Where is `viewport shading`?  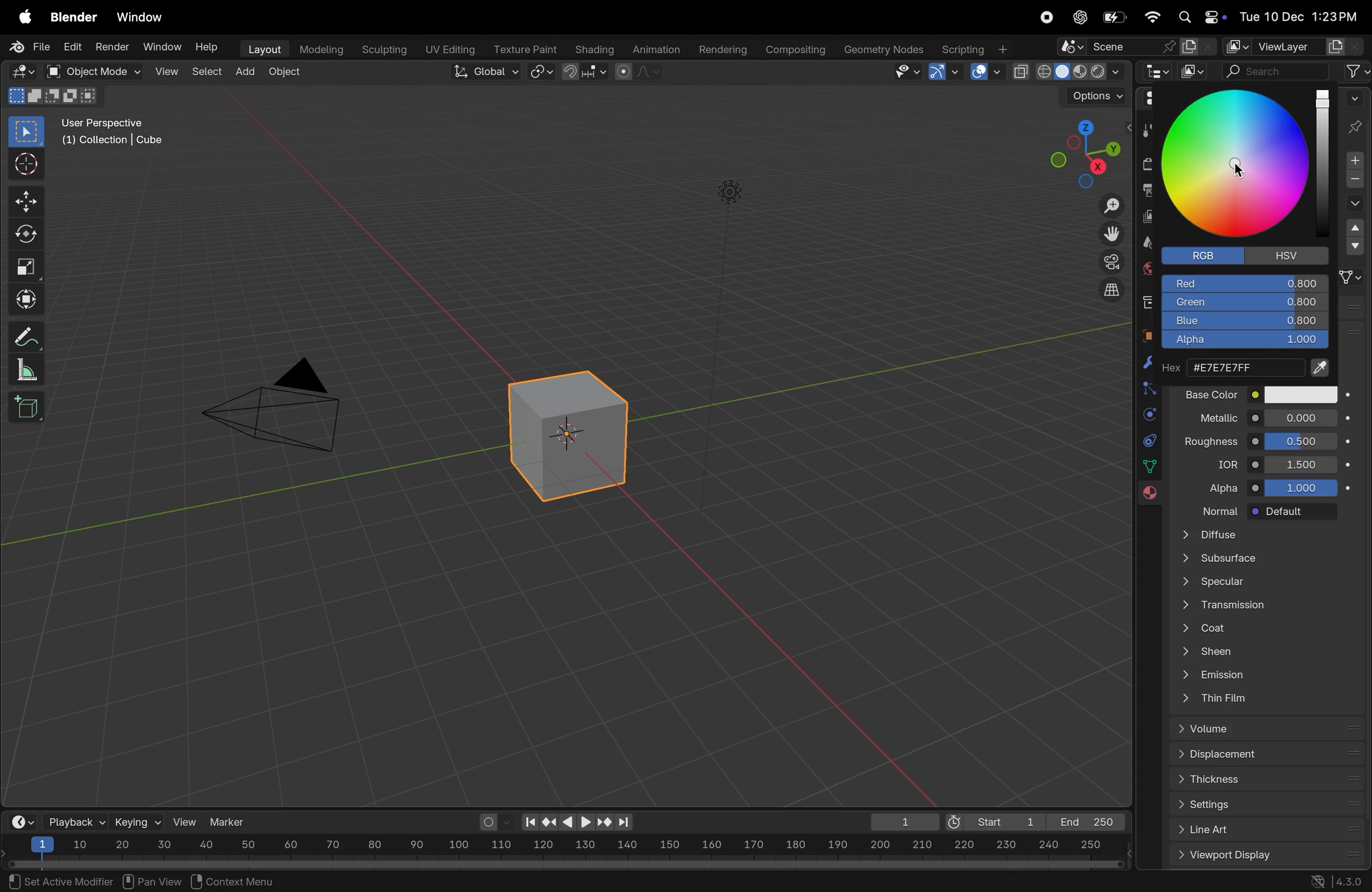 viewport shading is located at coordinates (1068, 69).